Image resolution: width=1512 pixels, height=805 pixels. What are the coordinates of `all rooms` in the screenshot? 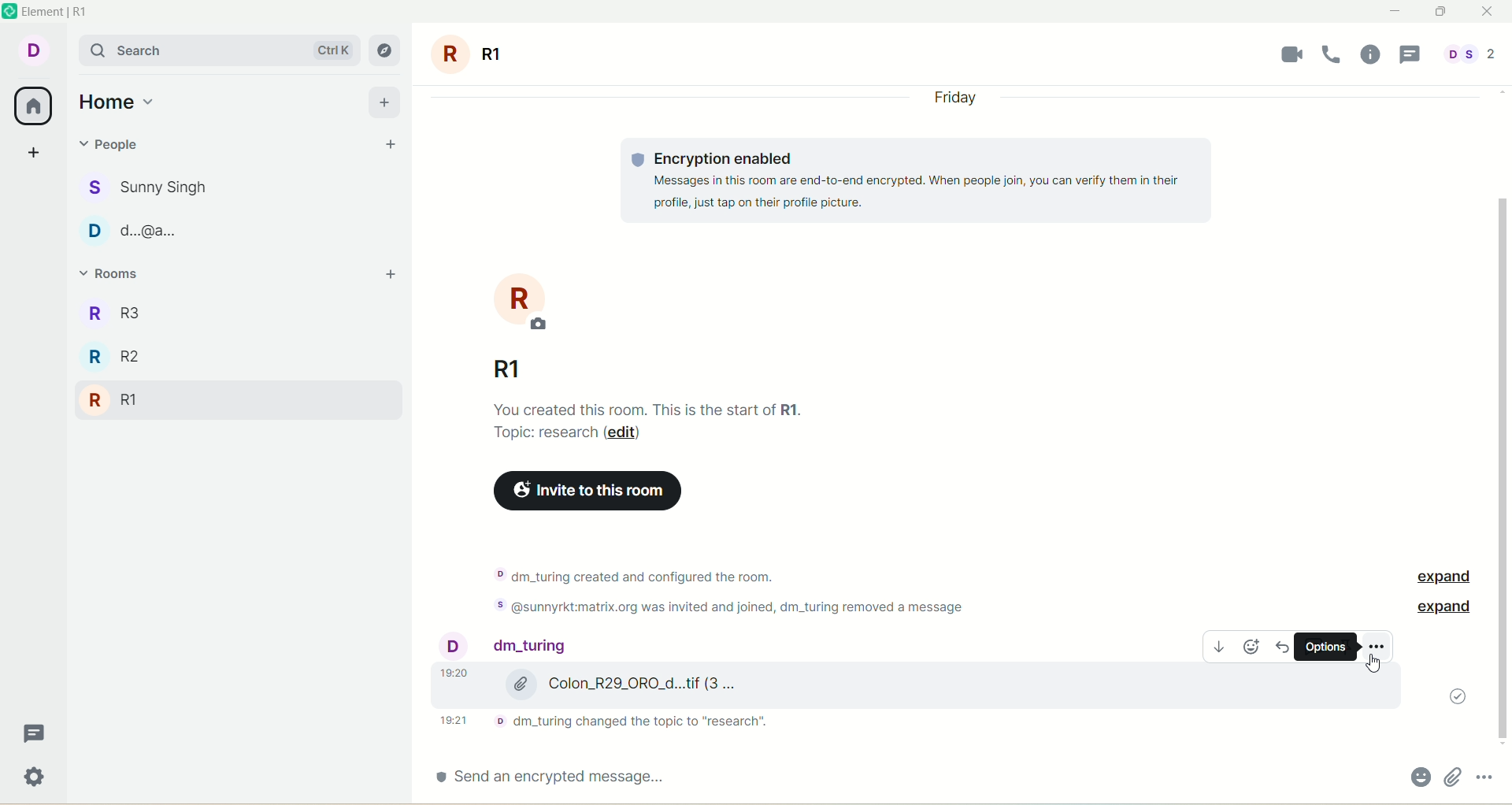 It's located at (31, 106).